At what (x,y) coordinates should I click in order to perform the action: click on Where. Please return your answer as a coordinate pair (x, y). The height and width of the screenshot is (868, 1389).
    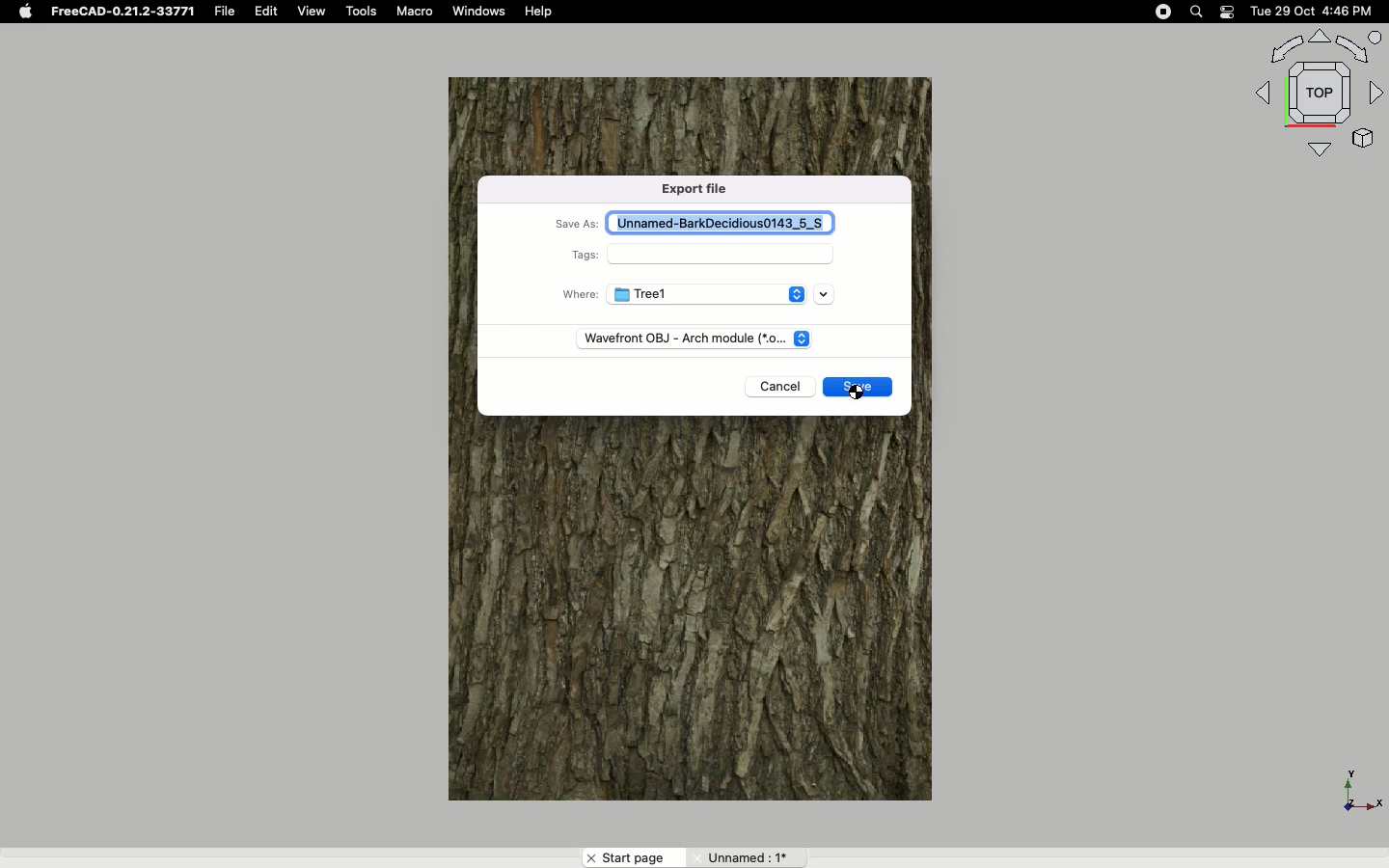
    Looking at the image, I should click on (576, 294).